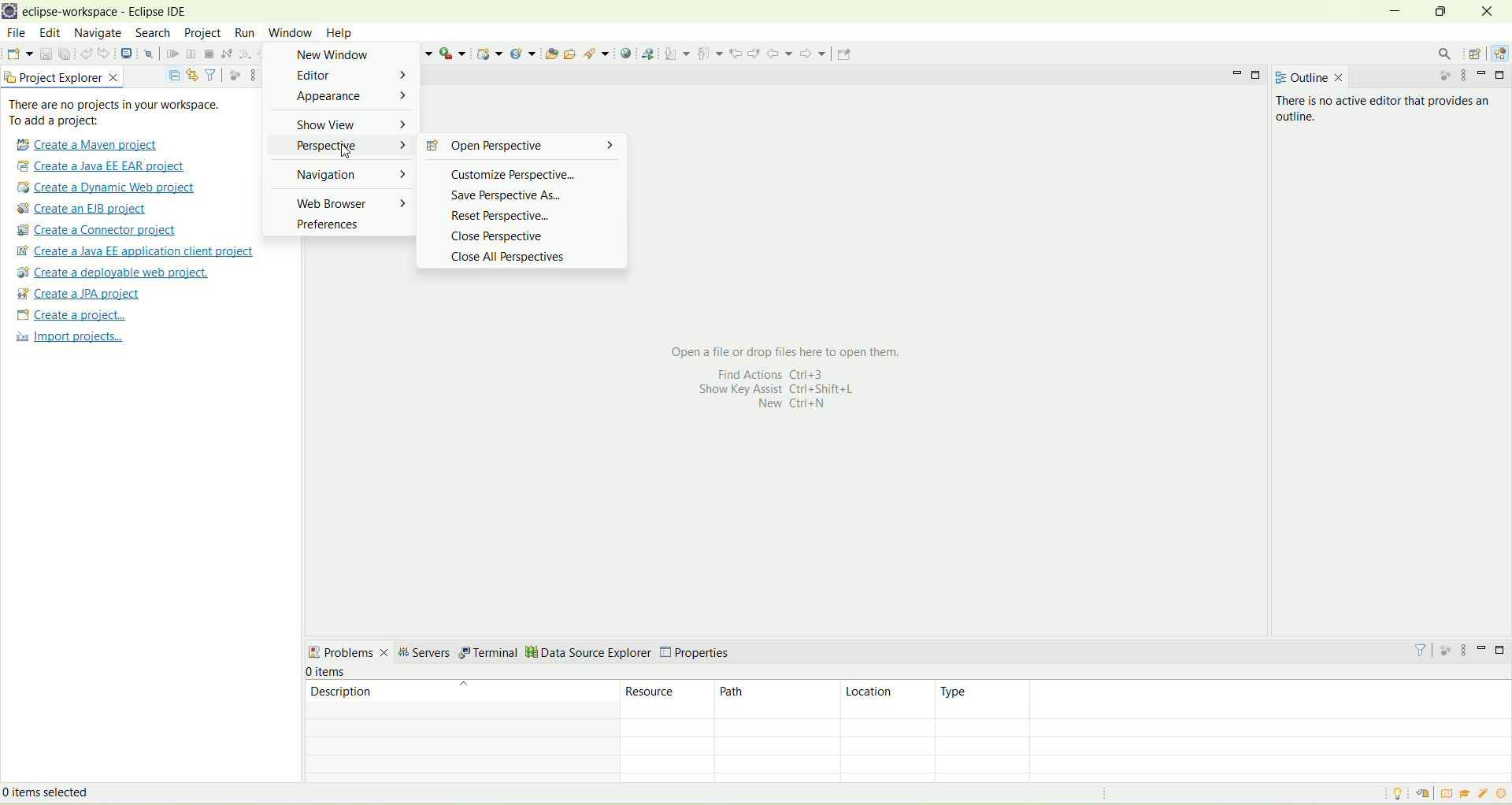 The width and height of the screenshot is (1512, 805). Describe the element at coordinates (97, 232) in the screenshot. I see `create a connector project` at that location.